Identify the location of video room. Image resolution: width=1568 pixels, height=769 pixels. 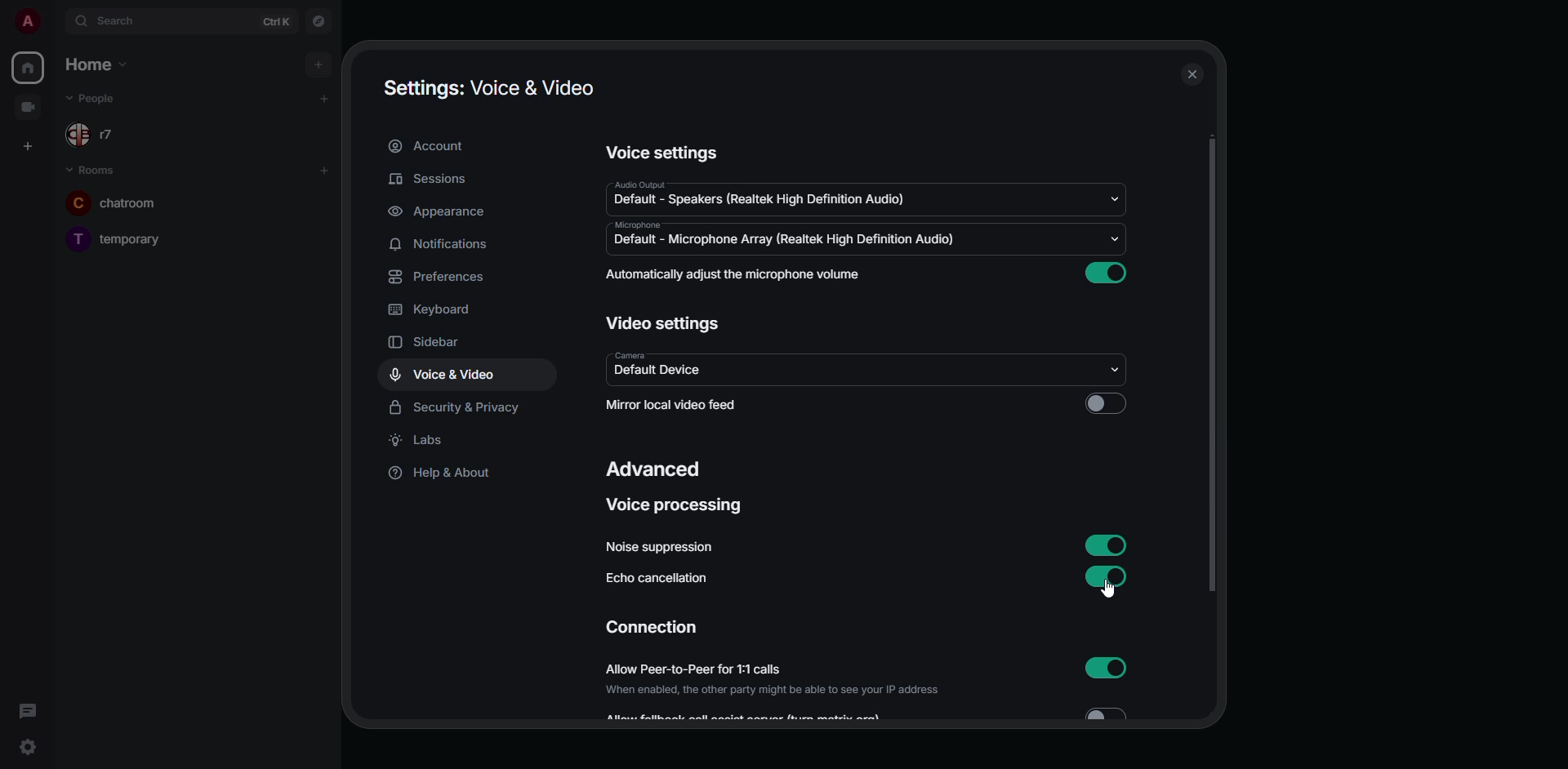
(29, 106).